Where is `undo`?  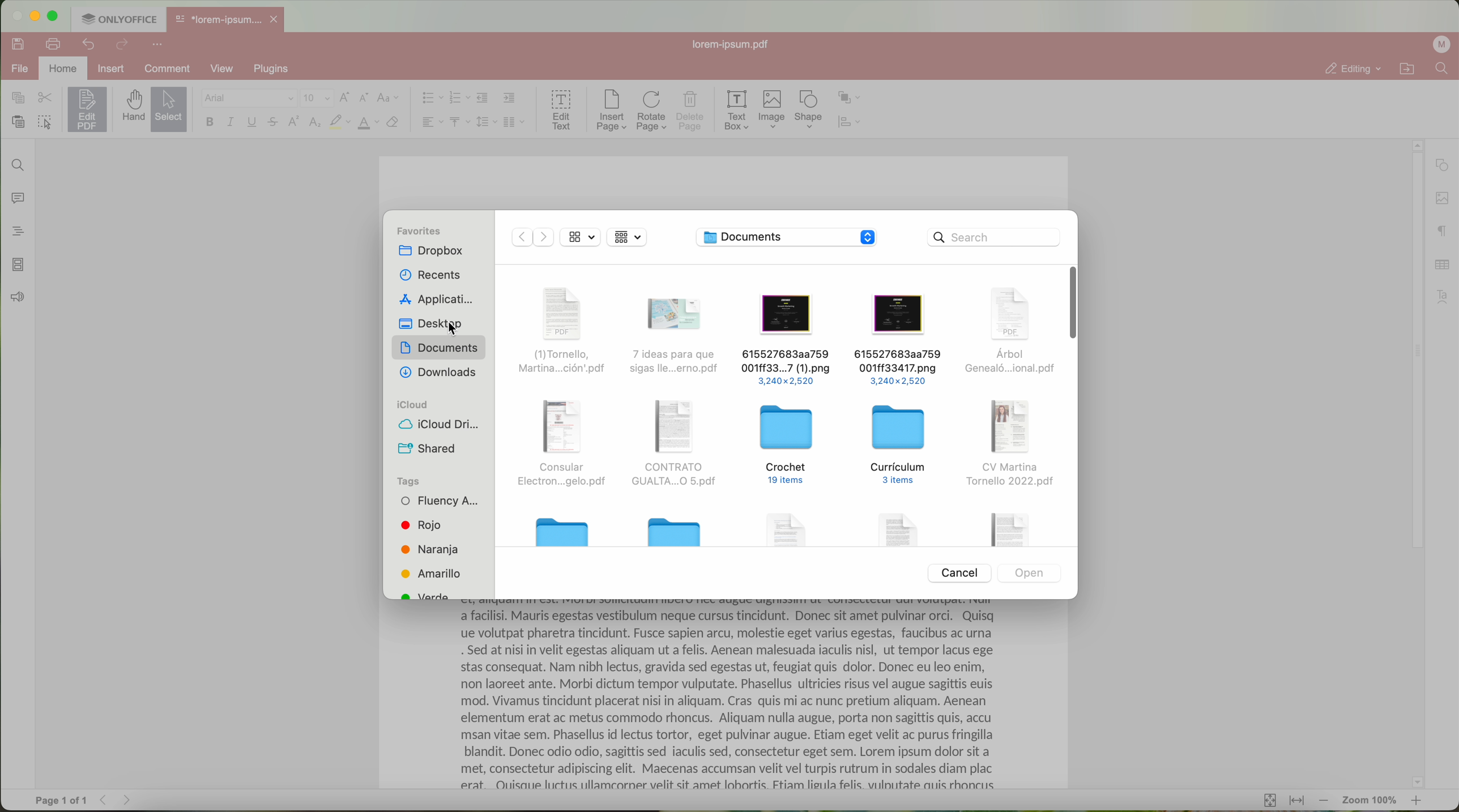
undo is located at coordinates (90, 44).